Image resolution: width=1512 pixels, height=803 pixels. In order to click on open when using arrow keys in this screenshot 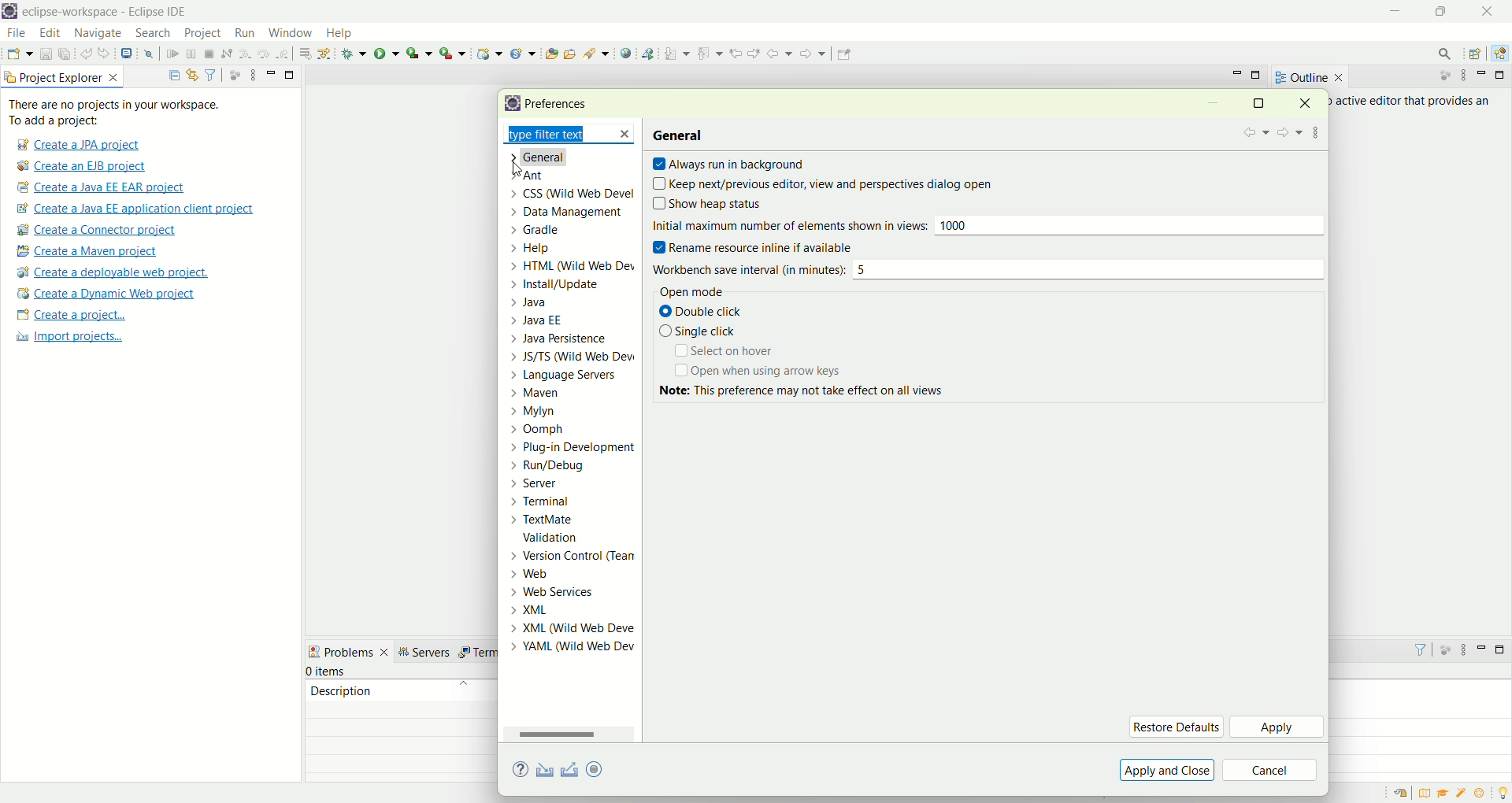, I will do `click(760, 372)`.